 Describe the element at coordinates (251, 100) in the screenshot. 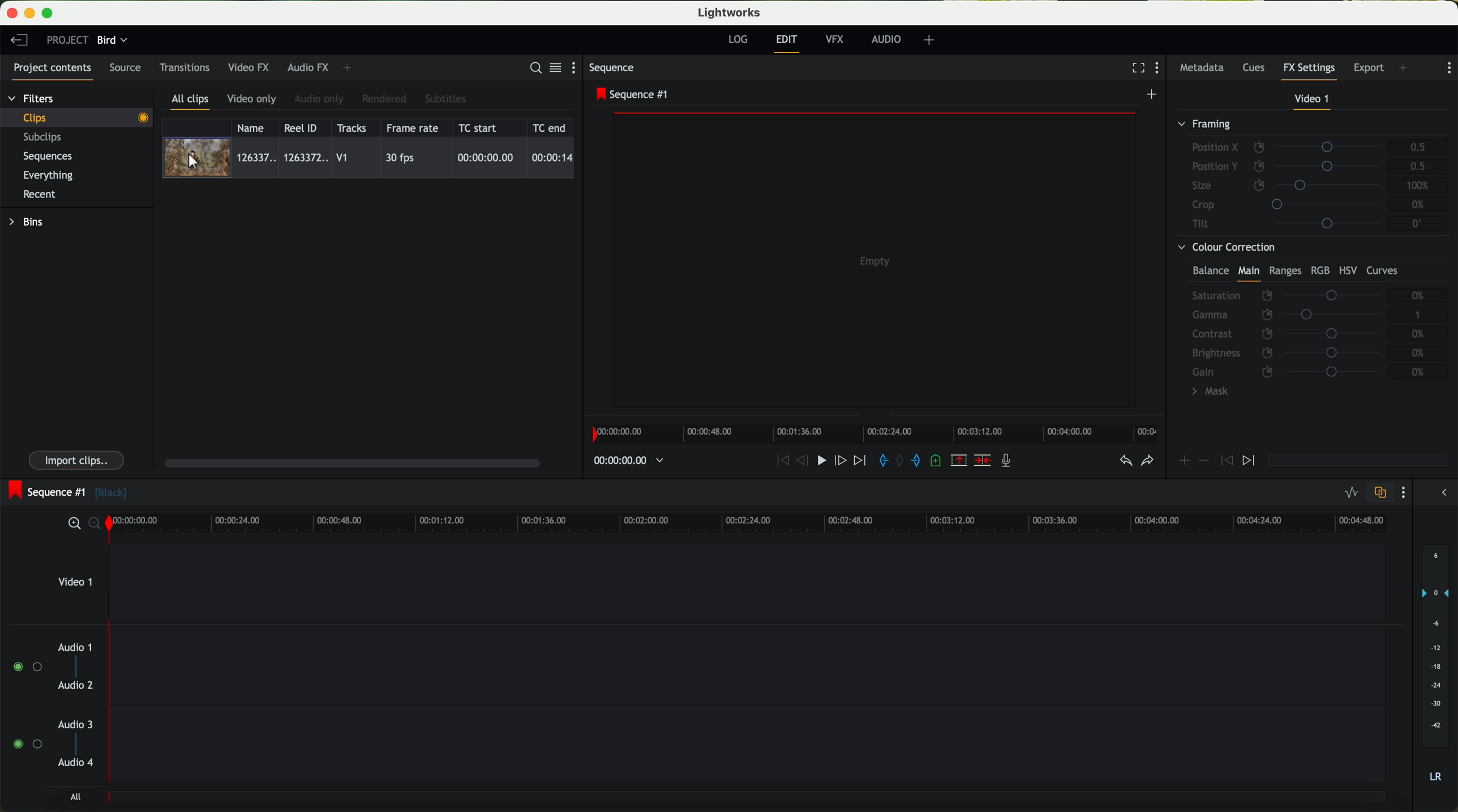

I see `video only` at that location.